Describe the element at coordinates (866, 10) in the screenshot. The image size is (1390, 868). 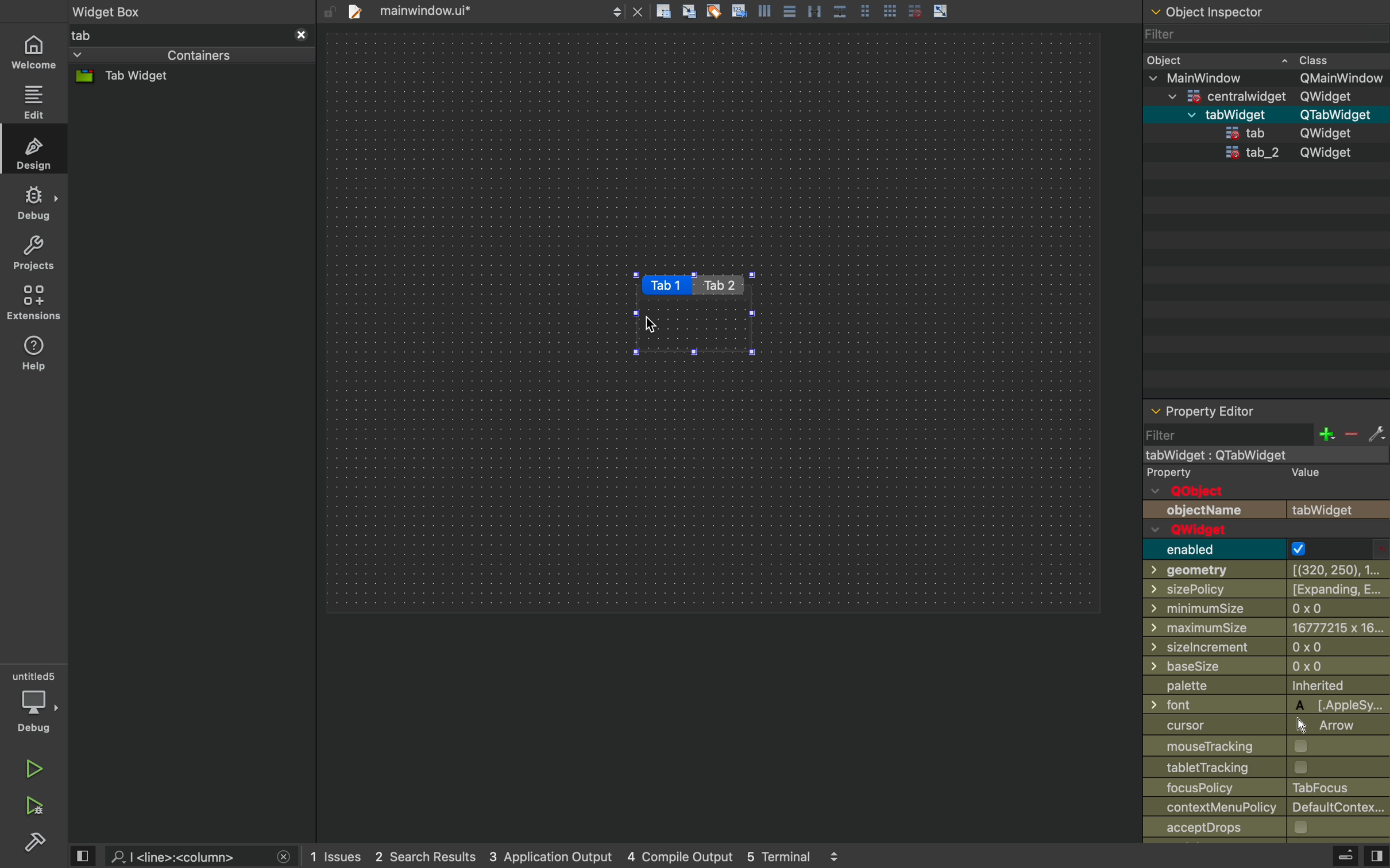
I see `grid view medium` at that location.